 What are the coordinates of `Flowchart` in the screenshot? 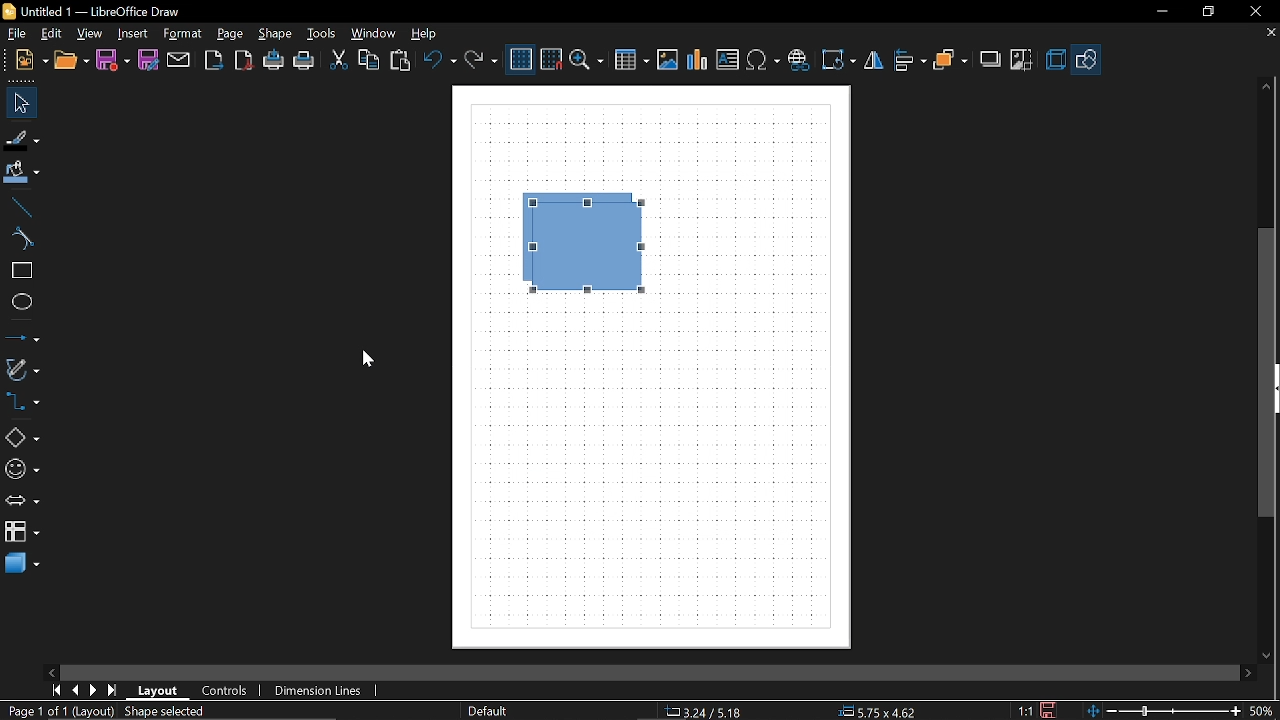 It's located at (22, 531).